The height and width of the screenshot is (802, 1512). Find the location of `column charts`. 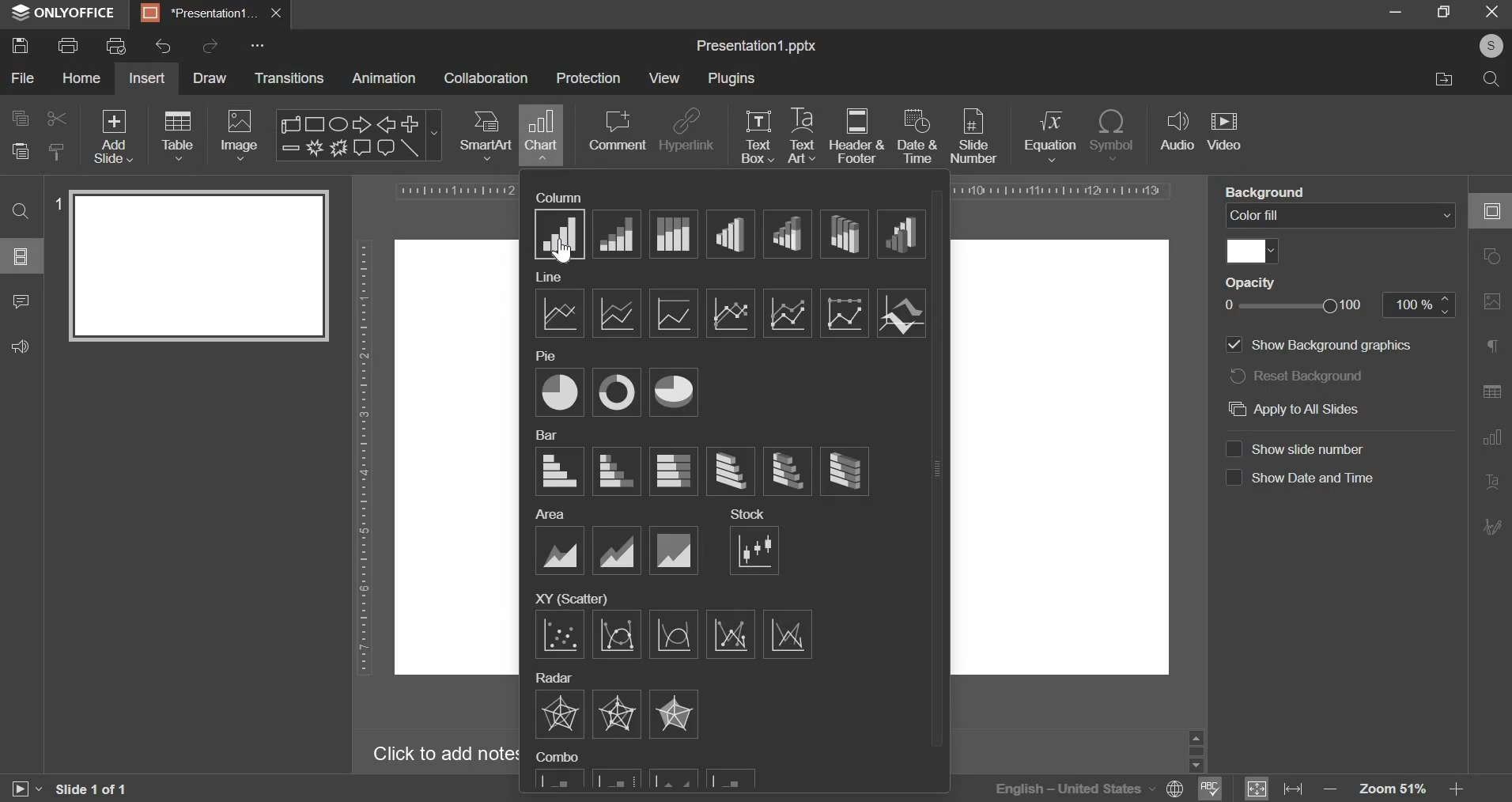

column charts is located at coordinates (730, 234).